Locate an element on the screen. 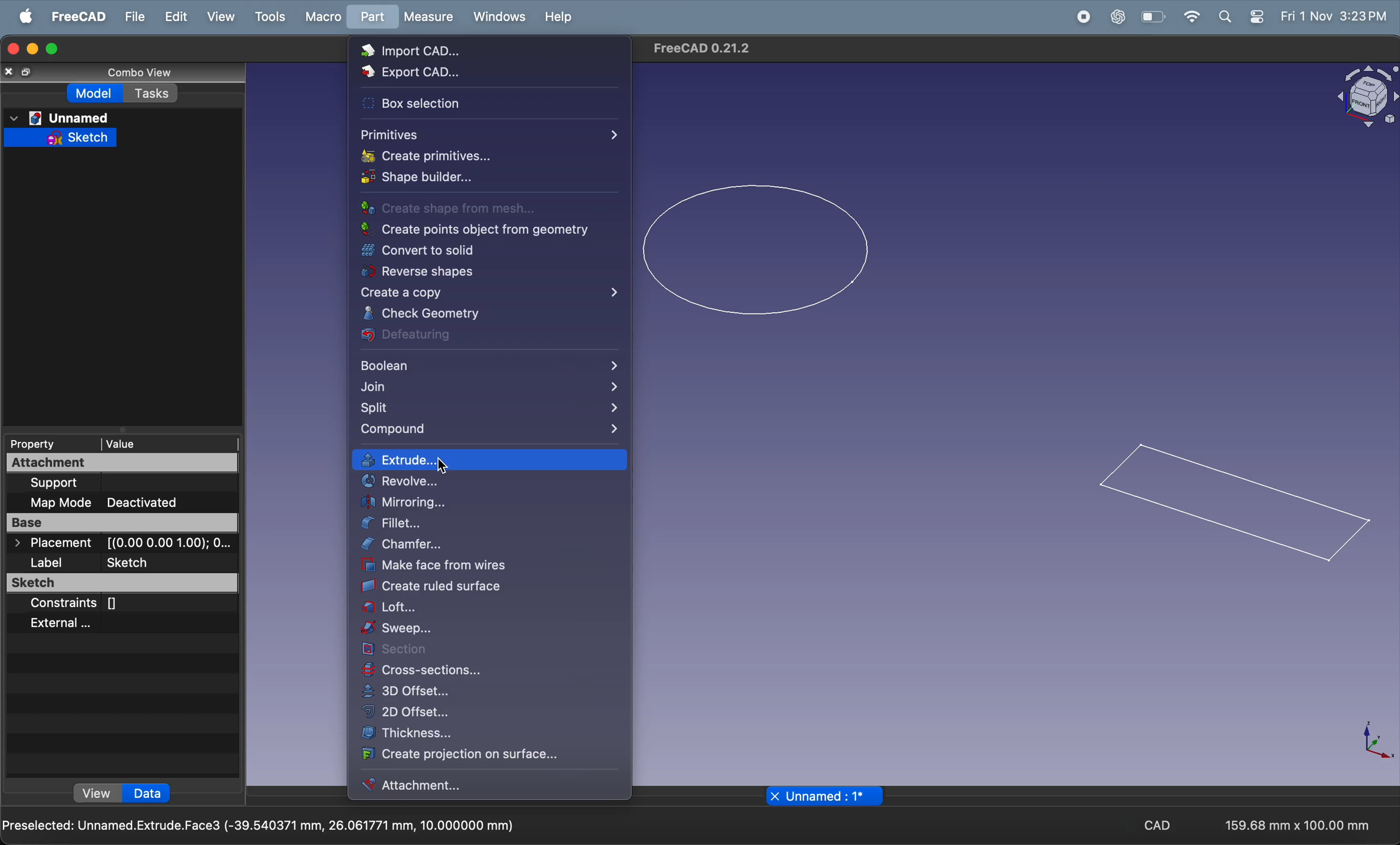 This screenshot has width=1400, height=845. Boolean is located at coordinates (491, 364).